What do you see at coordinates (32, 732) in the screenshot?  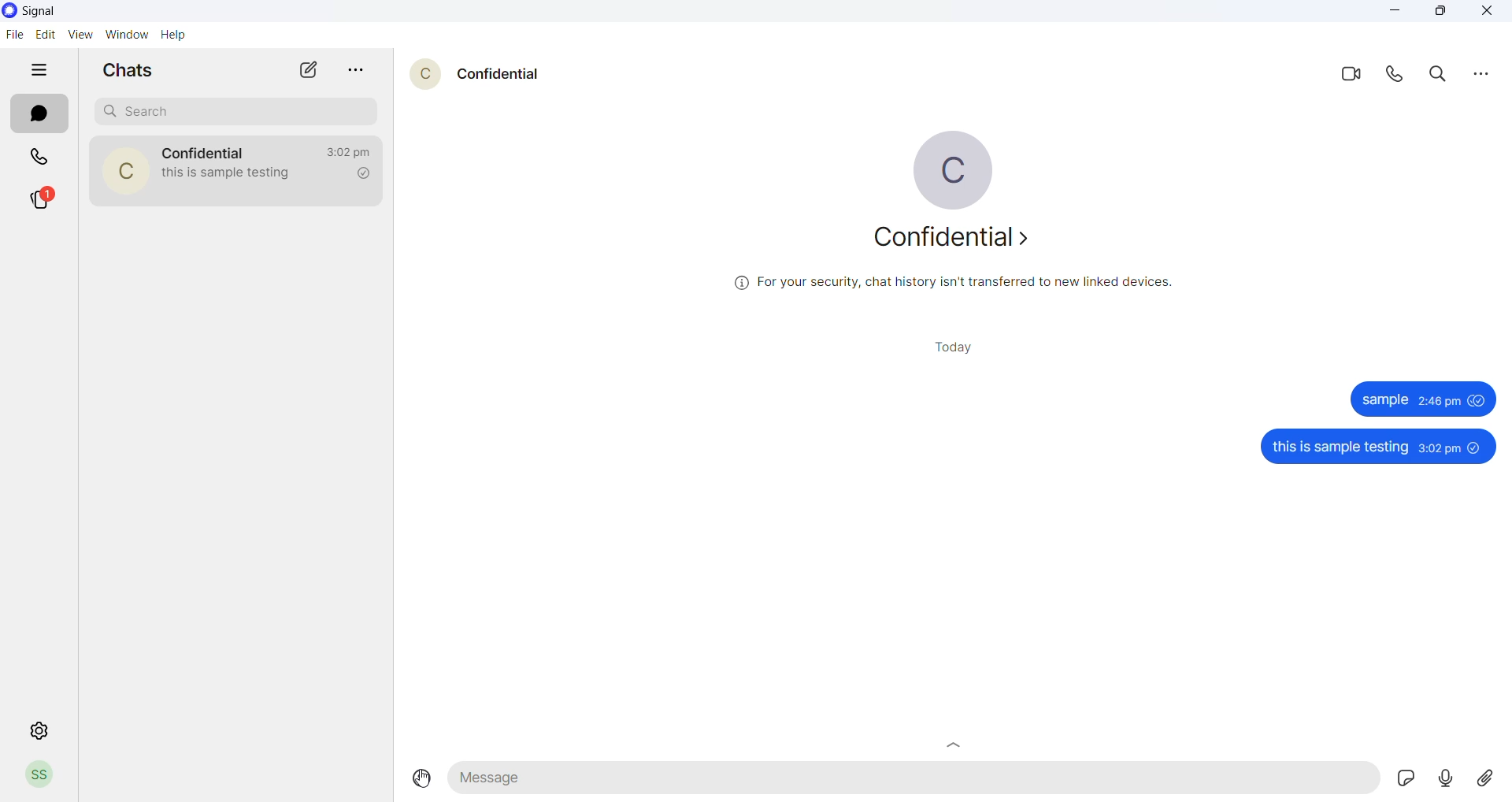 I see `settings` at bounding box center [32, 732].